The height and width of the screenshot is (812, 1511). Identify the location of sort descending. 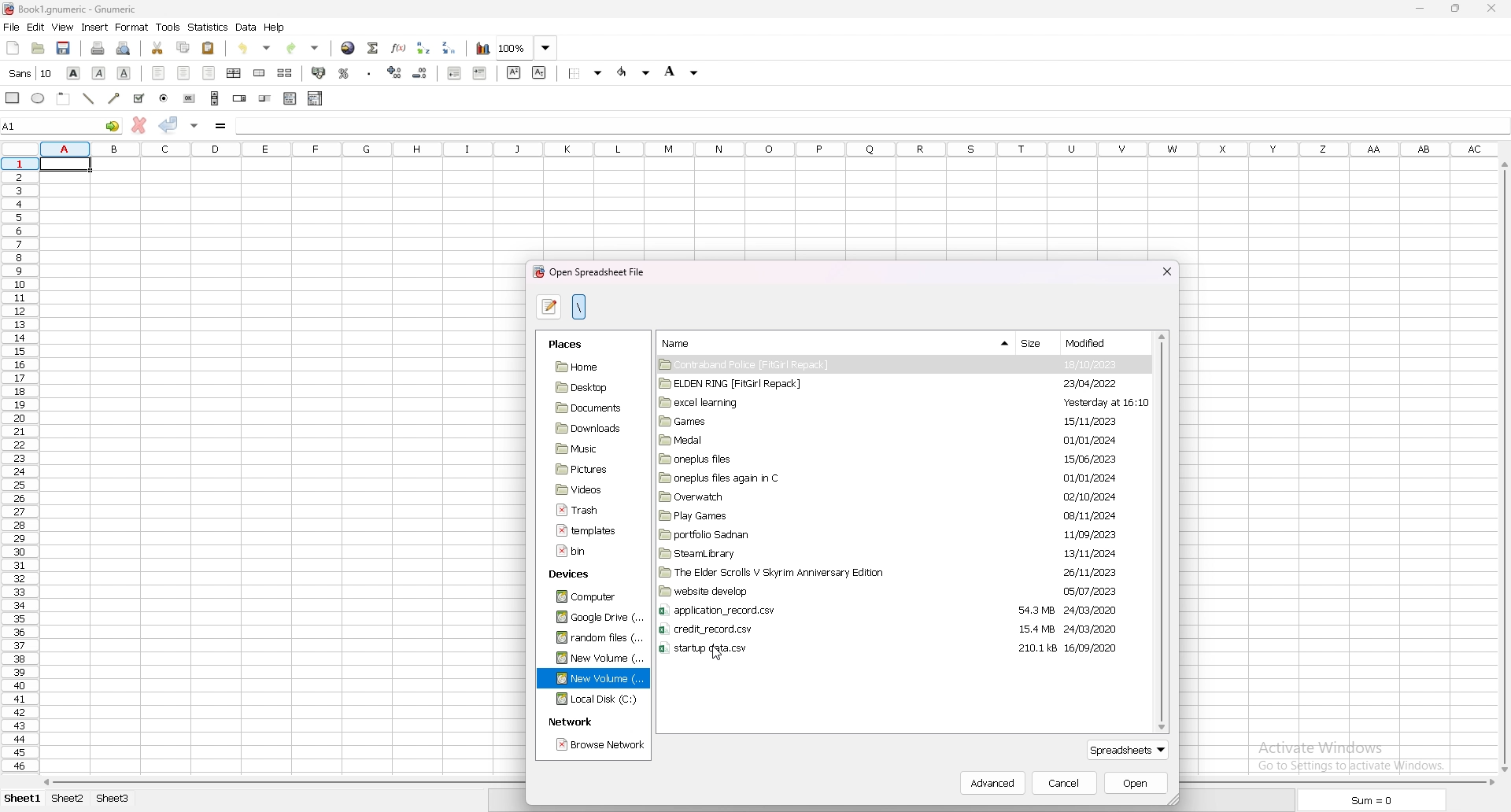
(450, 46).